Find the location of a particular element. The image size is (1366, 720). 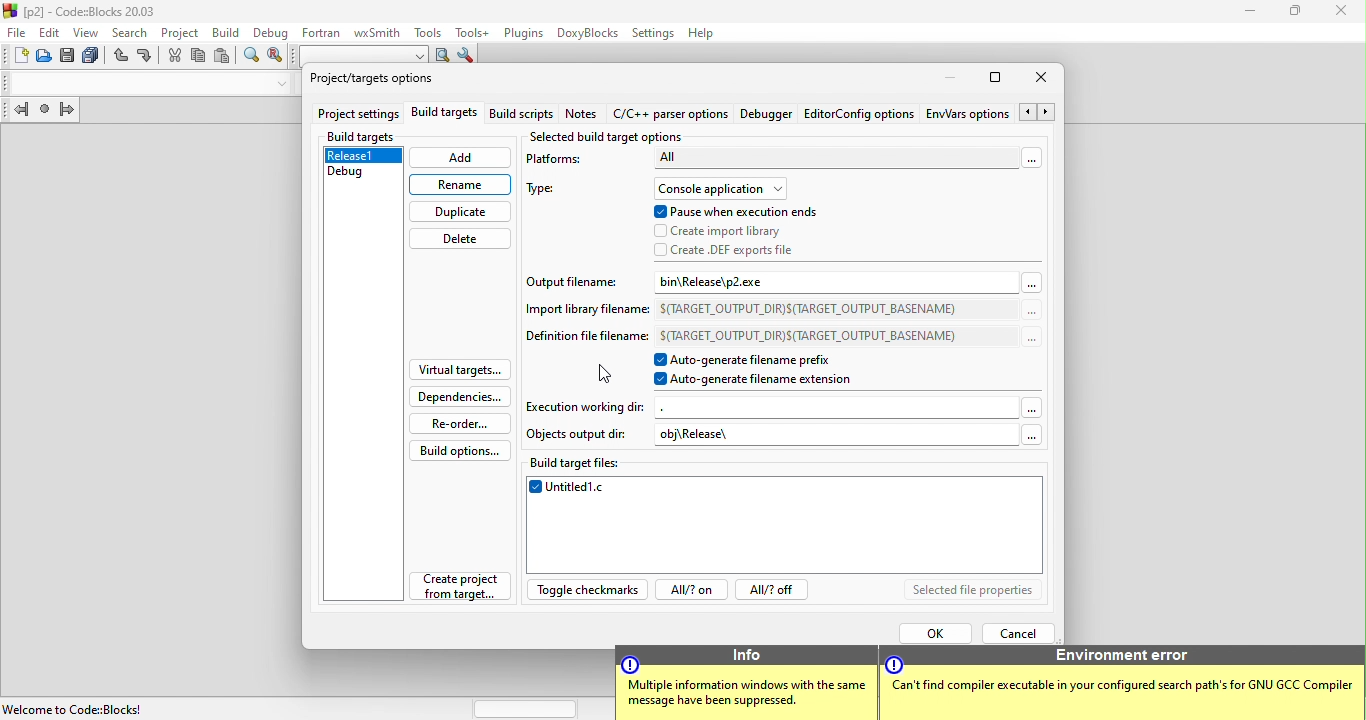

auto generate filename extension is located at coordinates (761, 380).